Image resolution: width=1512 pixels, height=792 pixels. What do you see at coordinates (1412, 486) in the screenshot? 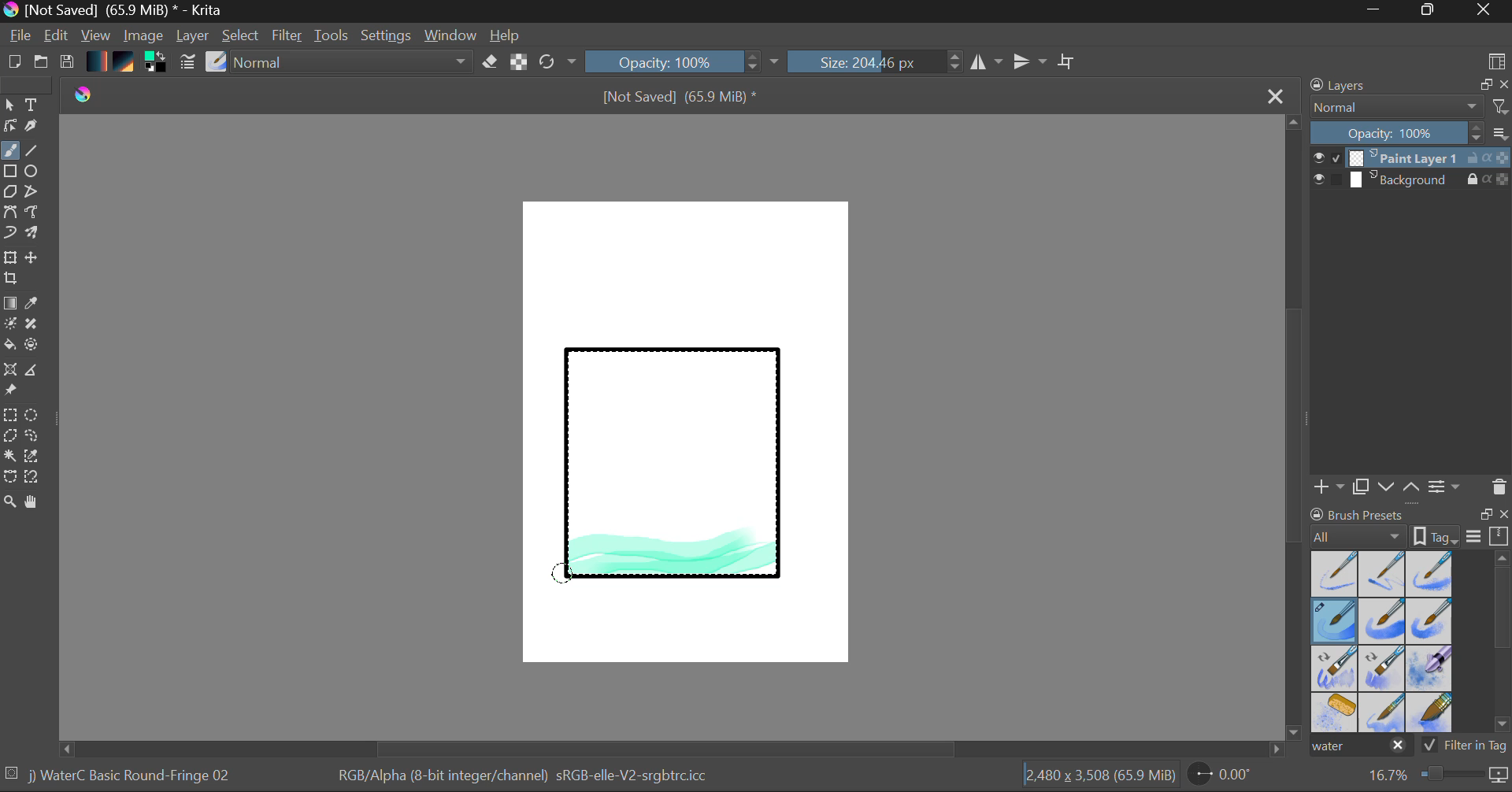
I see `Move Layer Up` at bounding box center [1412, 486].